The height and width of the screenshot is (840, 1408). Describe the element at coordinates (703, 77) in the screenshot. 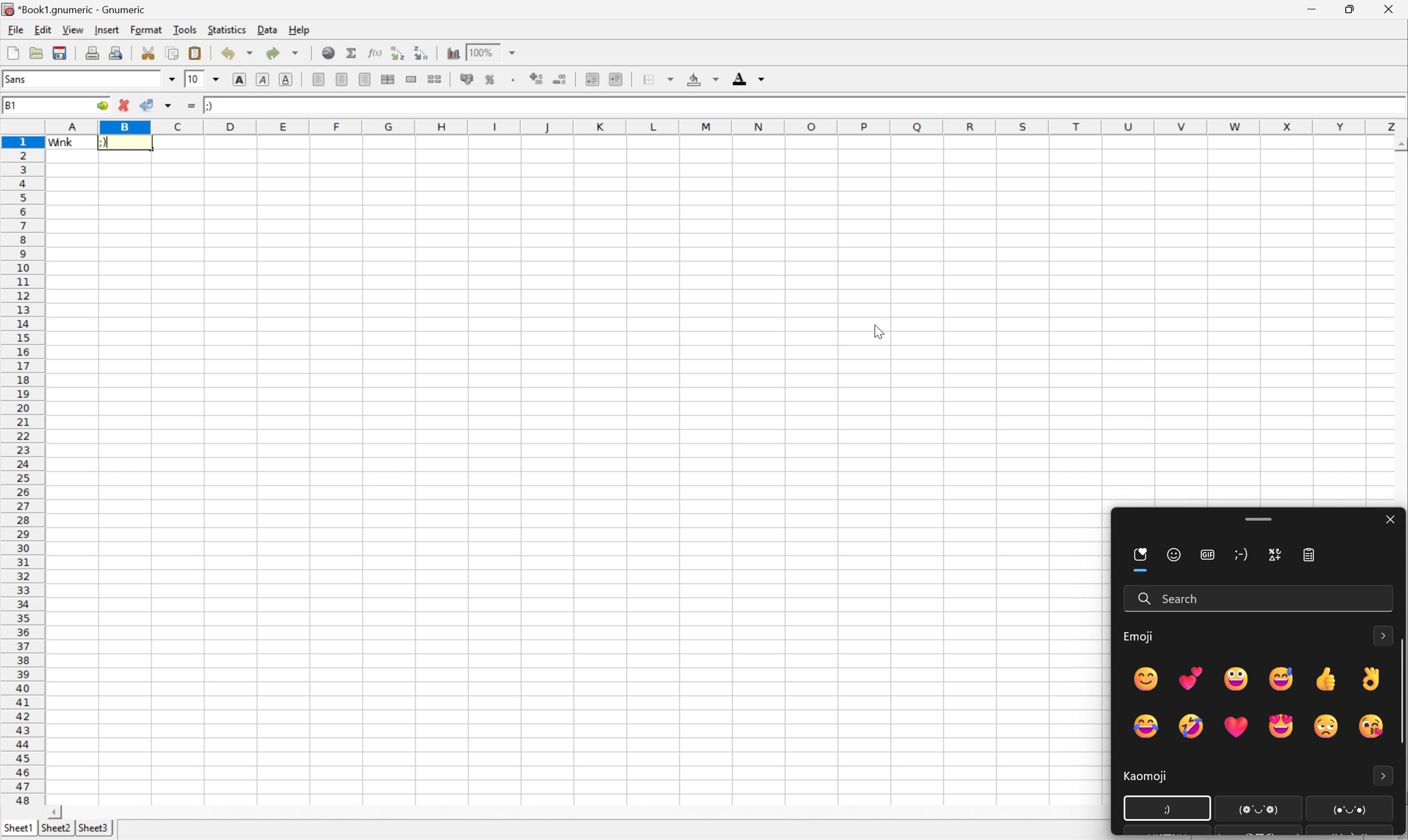

I see `background` at that location.